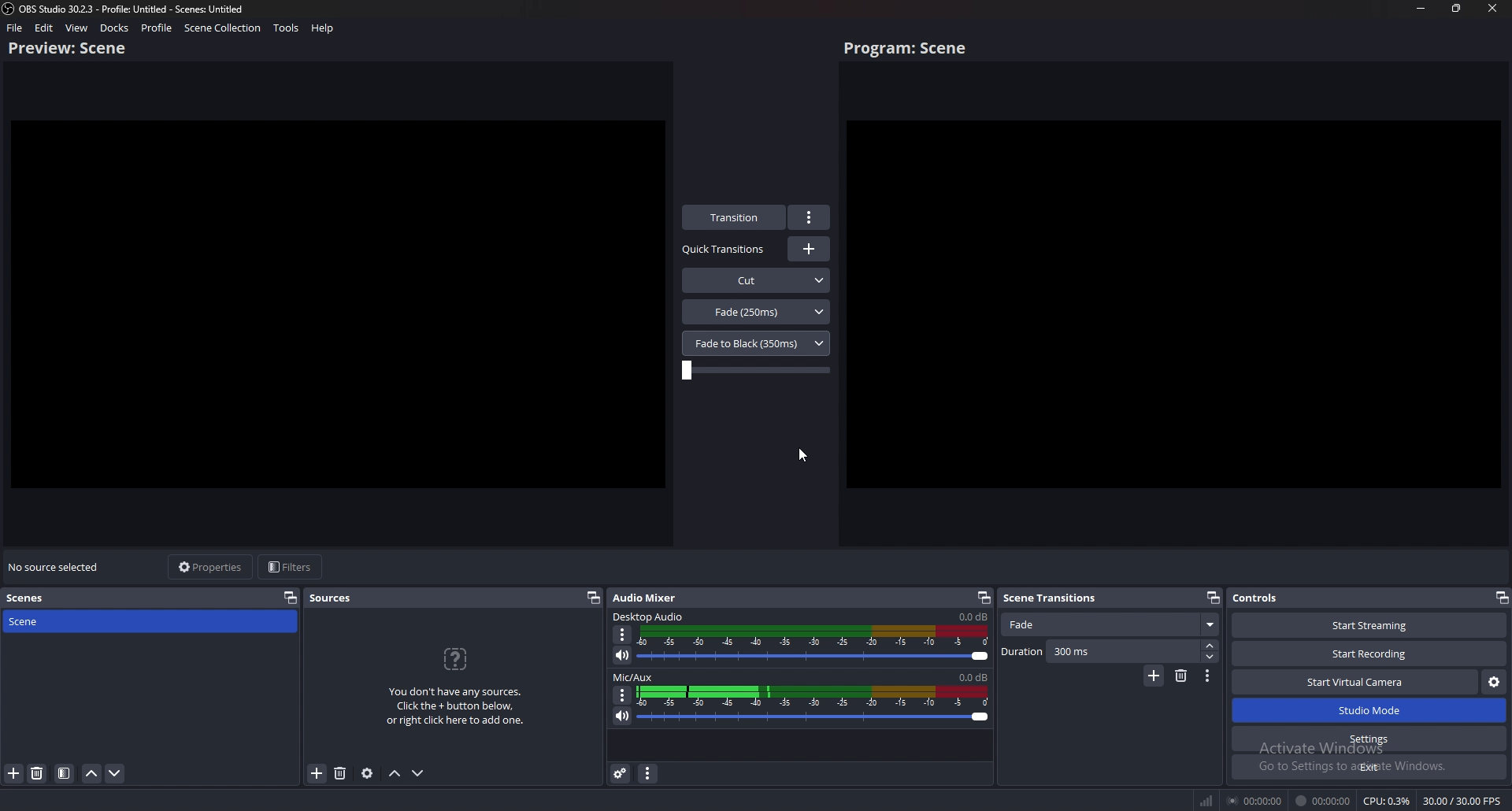 The image size is (1512, 811). What do you see at coordinates (621, 774) in the screenshot?
I see `advanced audio properties` at bounding box center [621, 774].